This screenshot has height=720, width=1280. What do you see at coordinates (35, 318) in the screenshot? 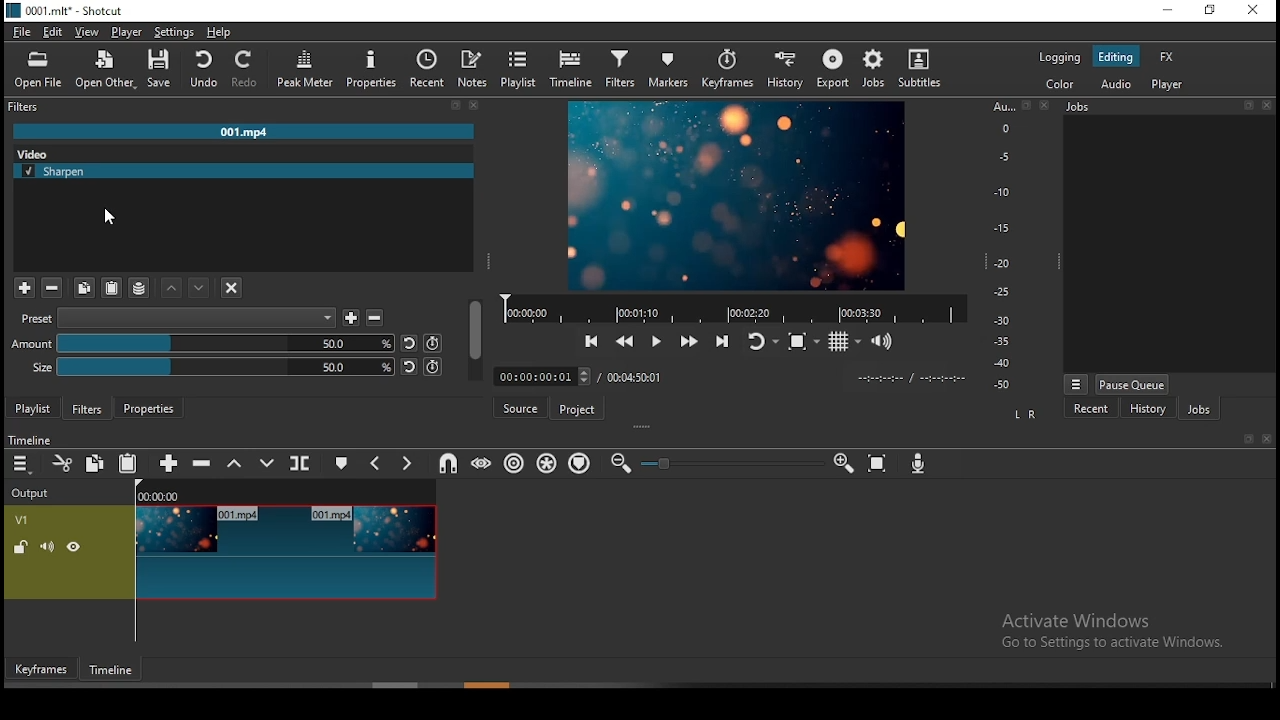
I see `Preset` at bounding box center [35, 318].